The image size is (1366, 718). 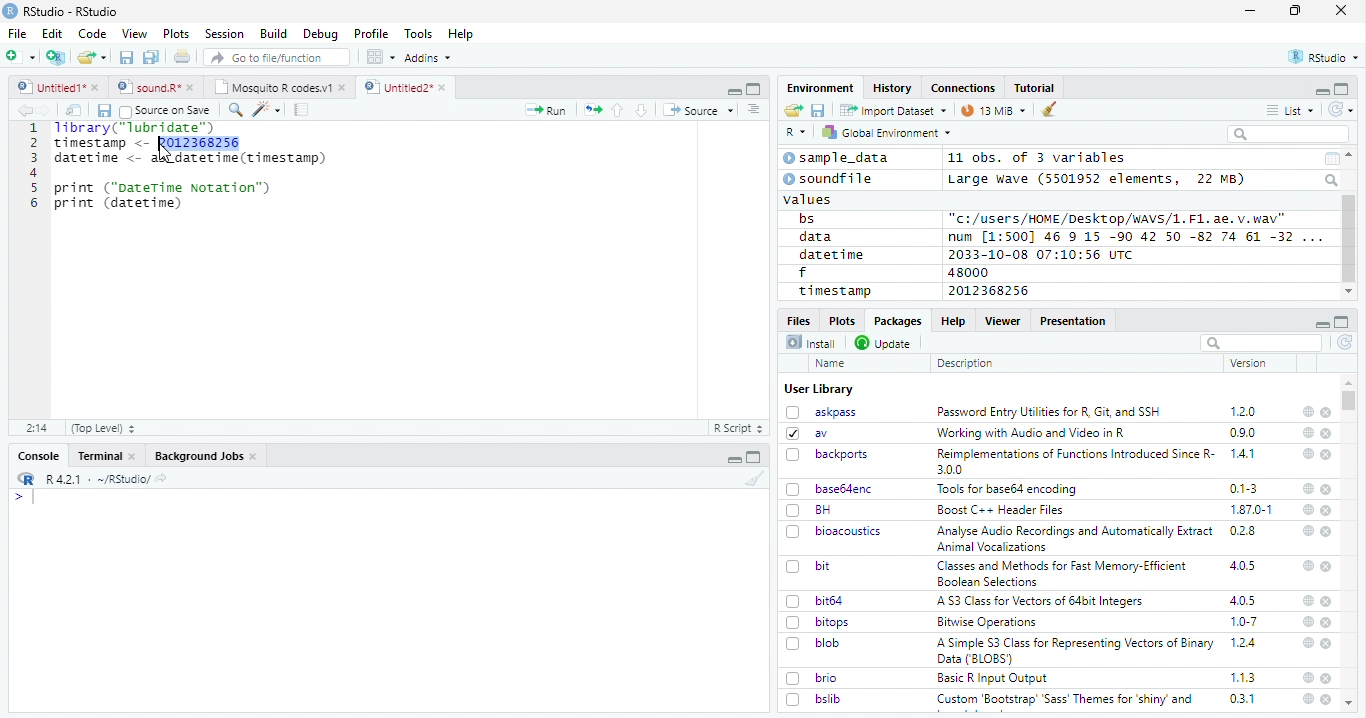 I want to click on maximize, so click(x=1295, y=11).